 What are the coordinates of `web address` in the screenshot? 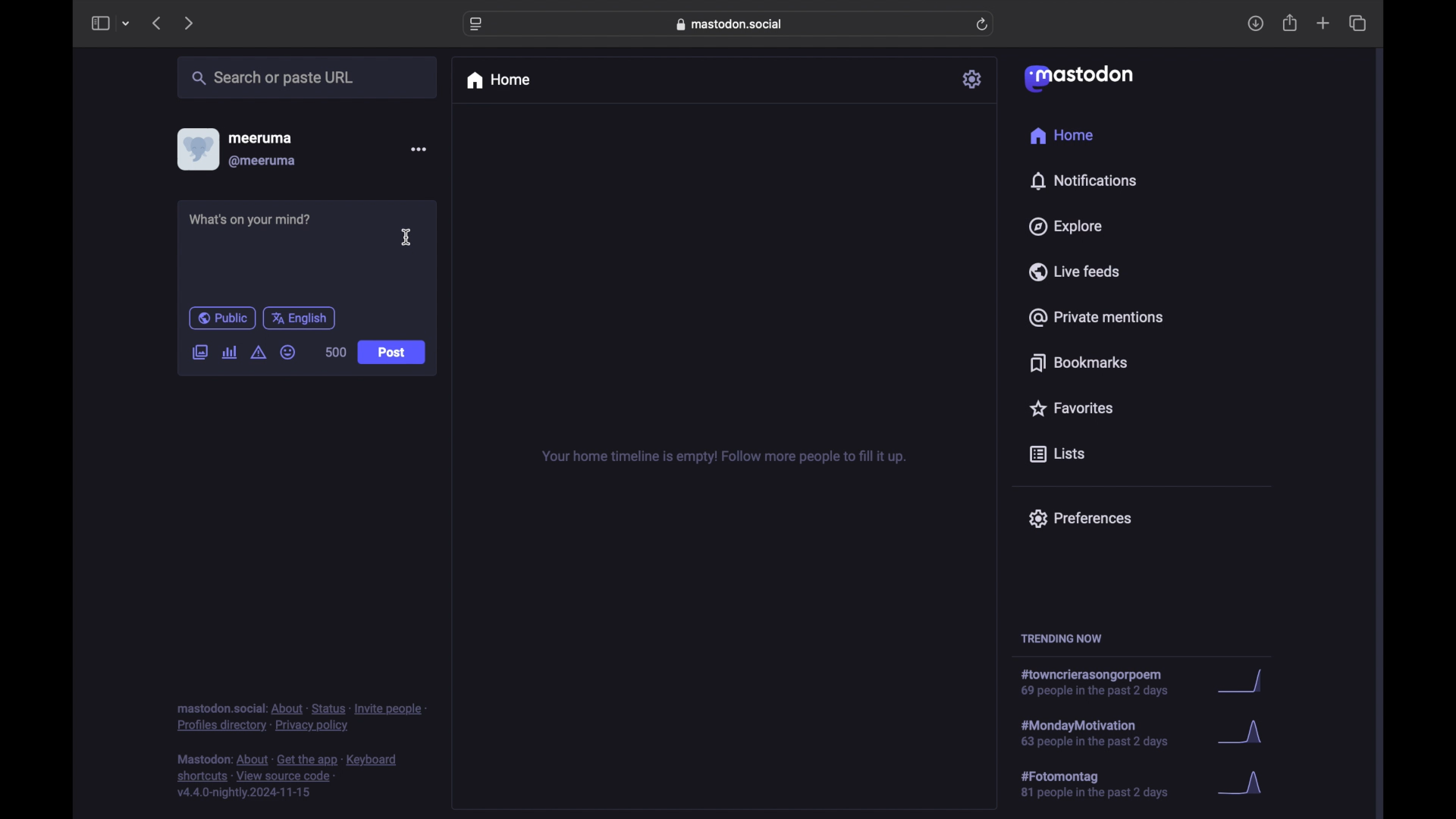 It's located at (733, 24).